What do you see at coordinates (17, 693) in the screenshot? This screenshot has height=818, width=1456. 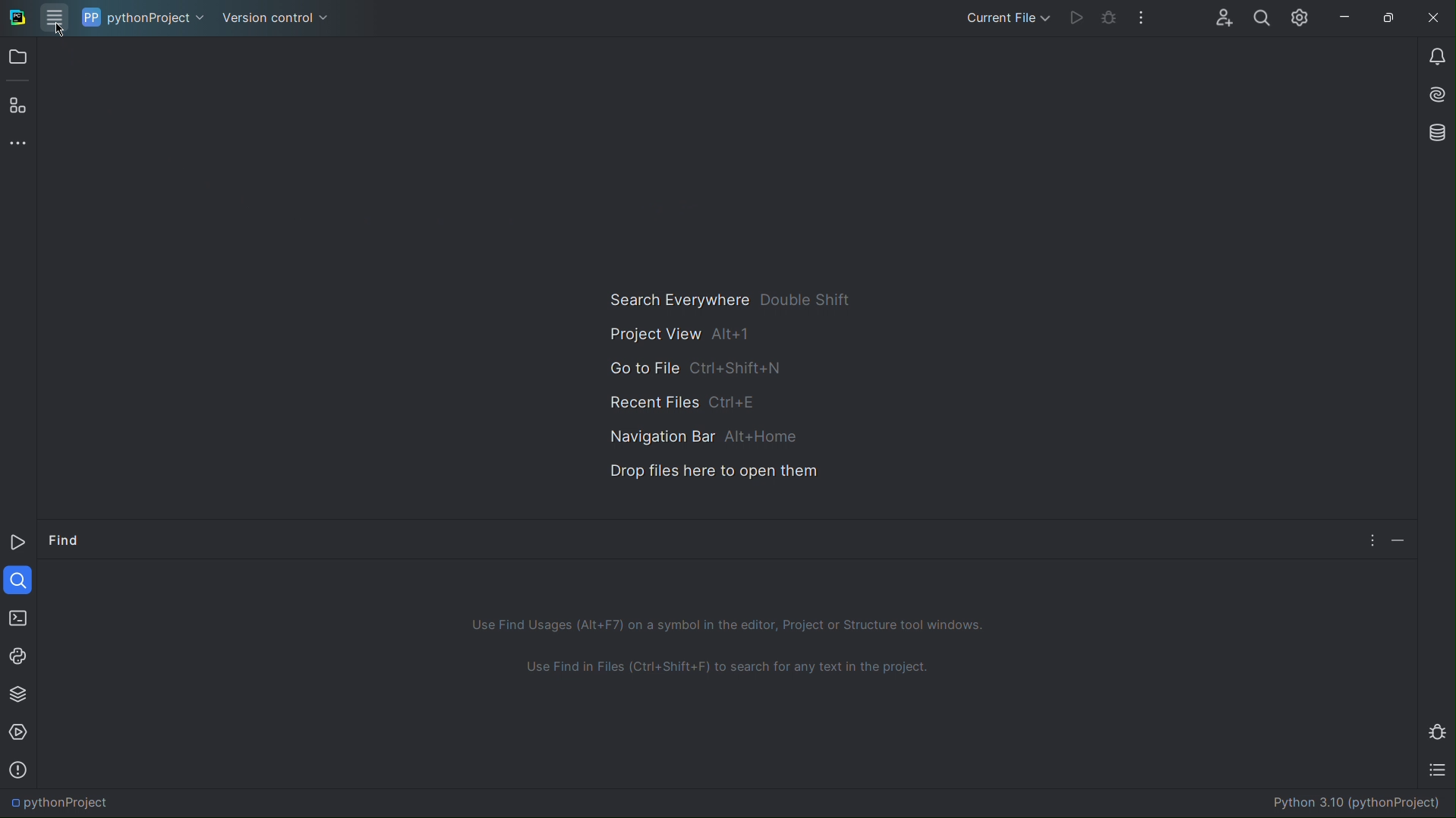 I see `Python Packages` at bounding box center [17, 693].